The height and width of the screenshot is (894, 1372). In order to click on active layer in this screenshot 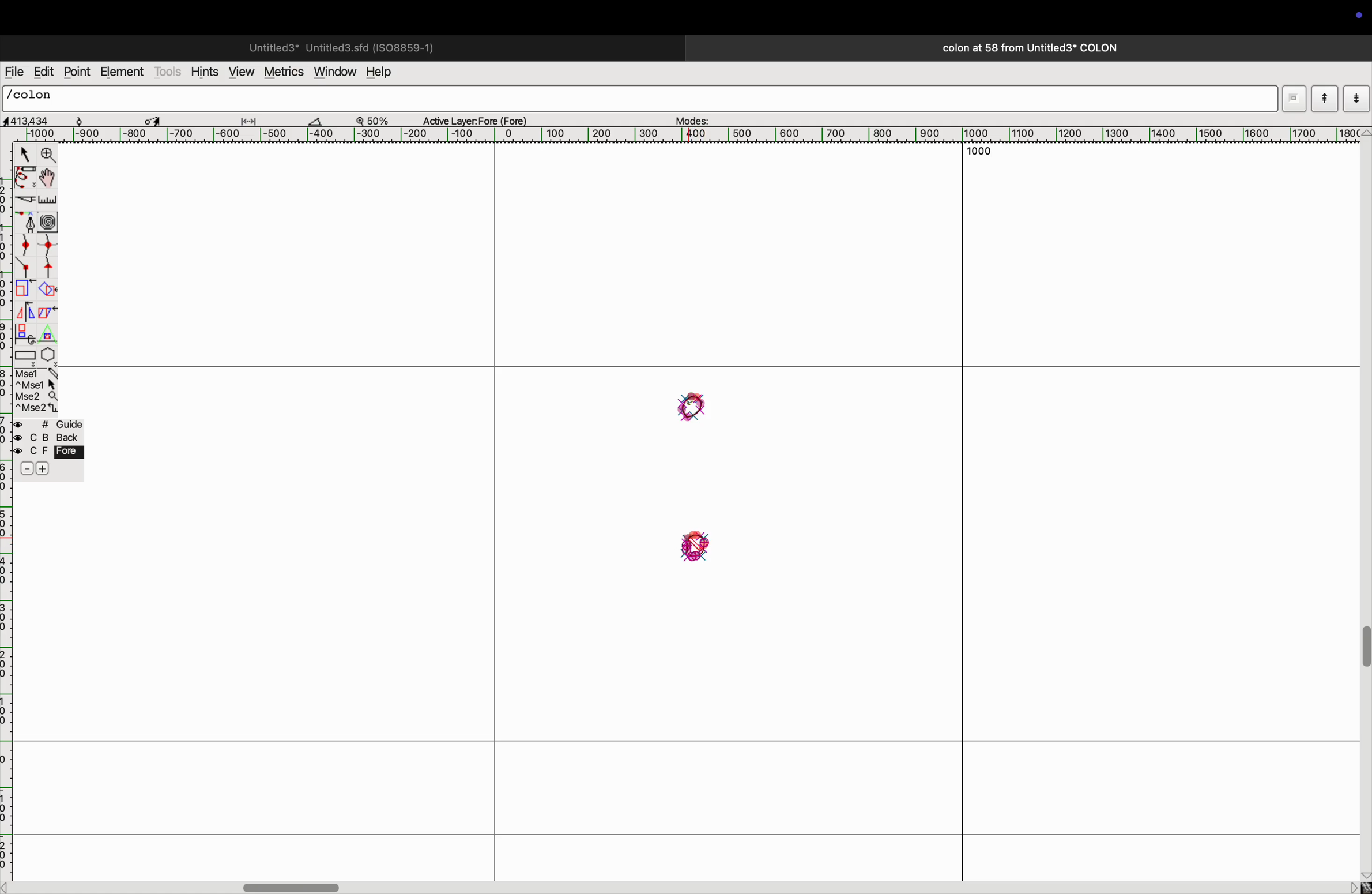, I will do `click(480, 118)`.